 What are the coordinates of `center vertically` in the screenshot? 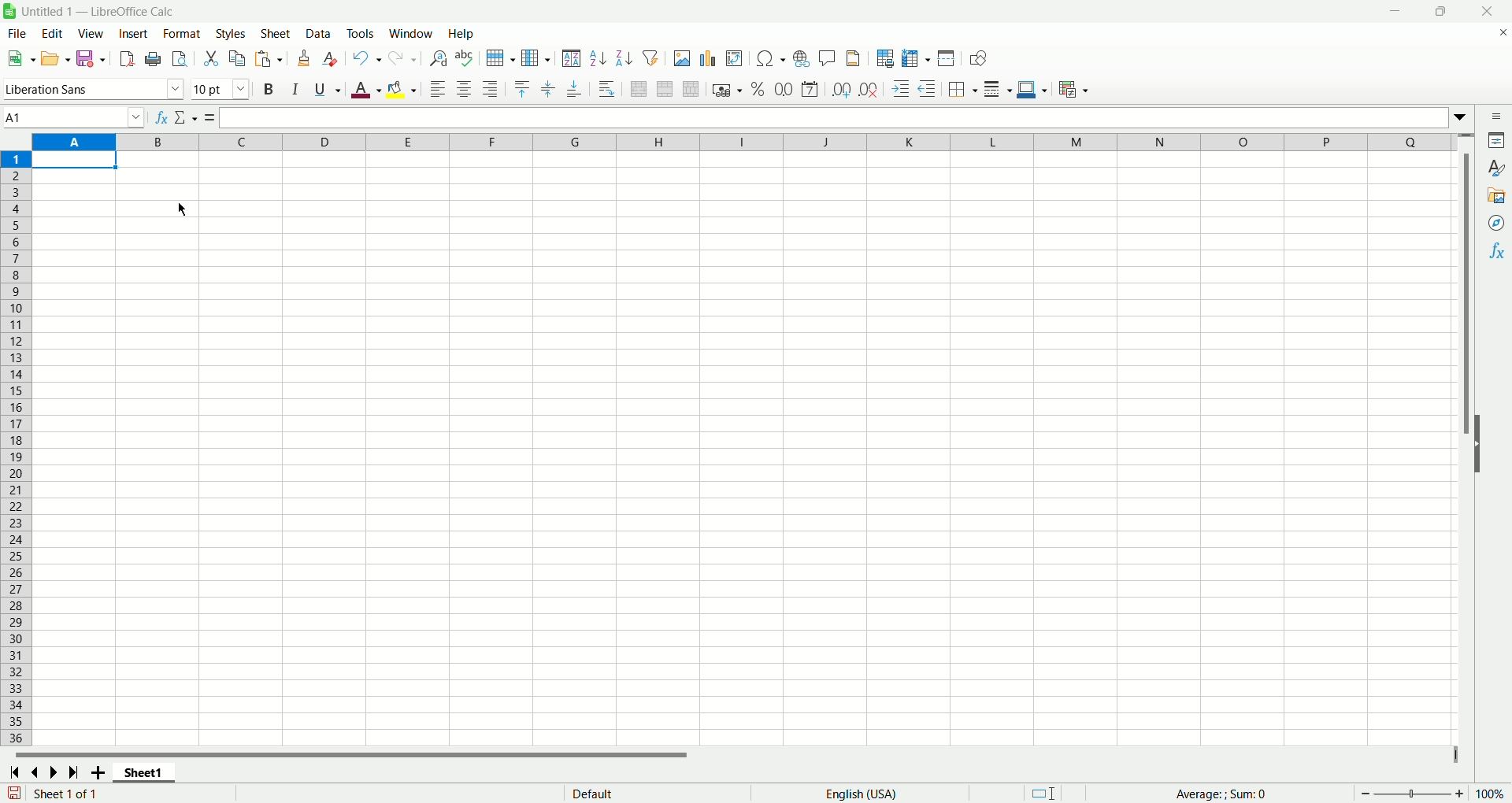 It's located at (550, 87).